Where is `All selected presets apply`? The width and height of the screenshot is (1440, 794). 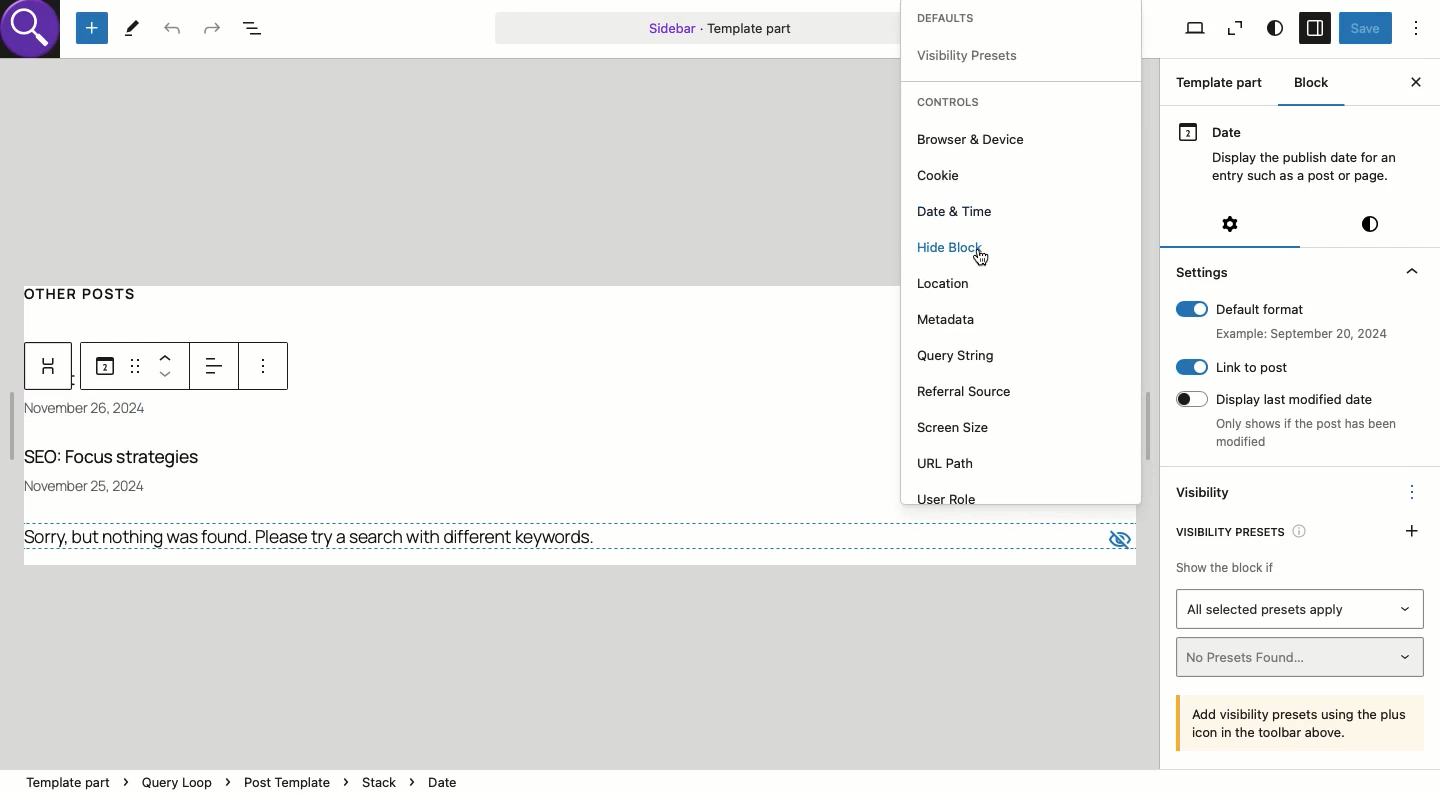 All selected presets apply is located at coordinates (1301, 609).